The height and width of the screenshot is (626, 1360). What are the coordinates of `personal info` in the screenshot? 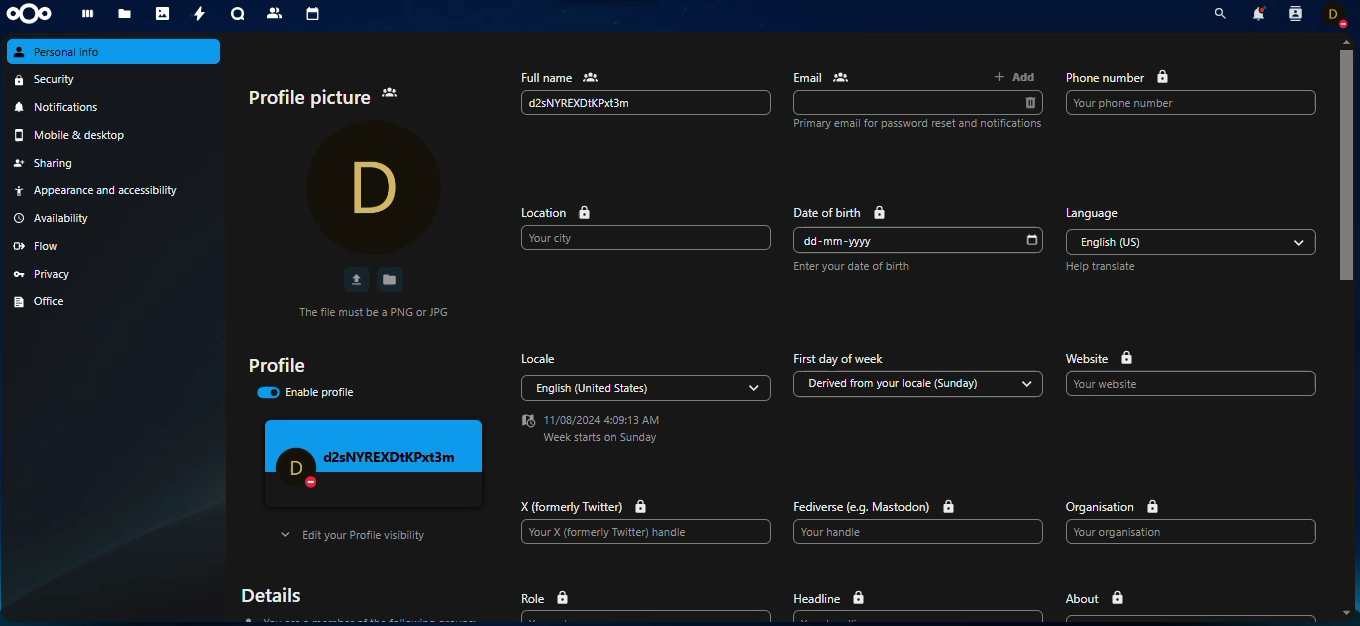 It's located at (114, 52).